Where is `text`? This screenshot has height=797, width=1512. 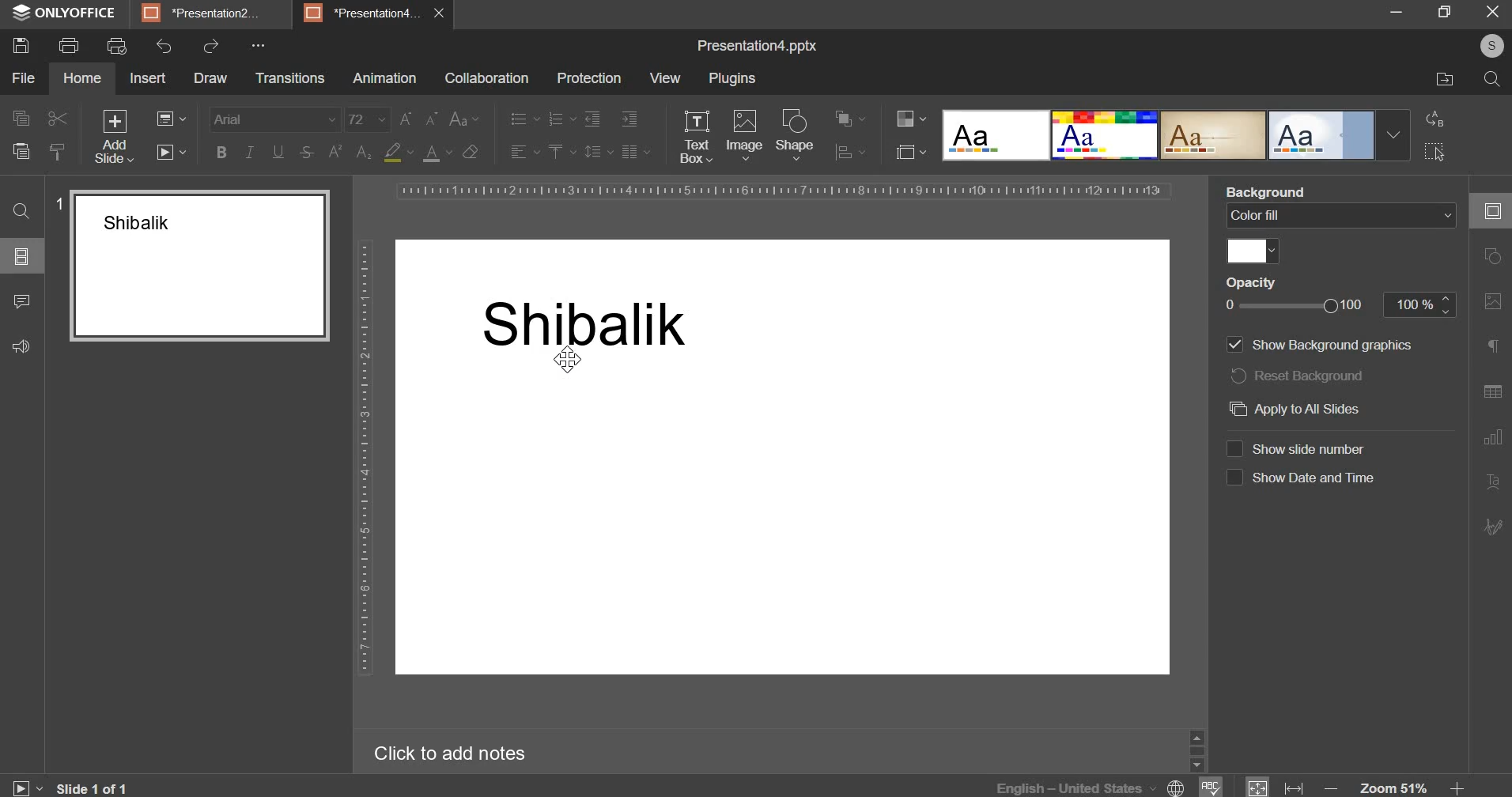
text is located at coordinates (1493, 483).